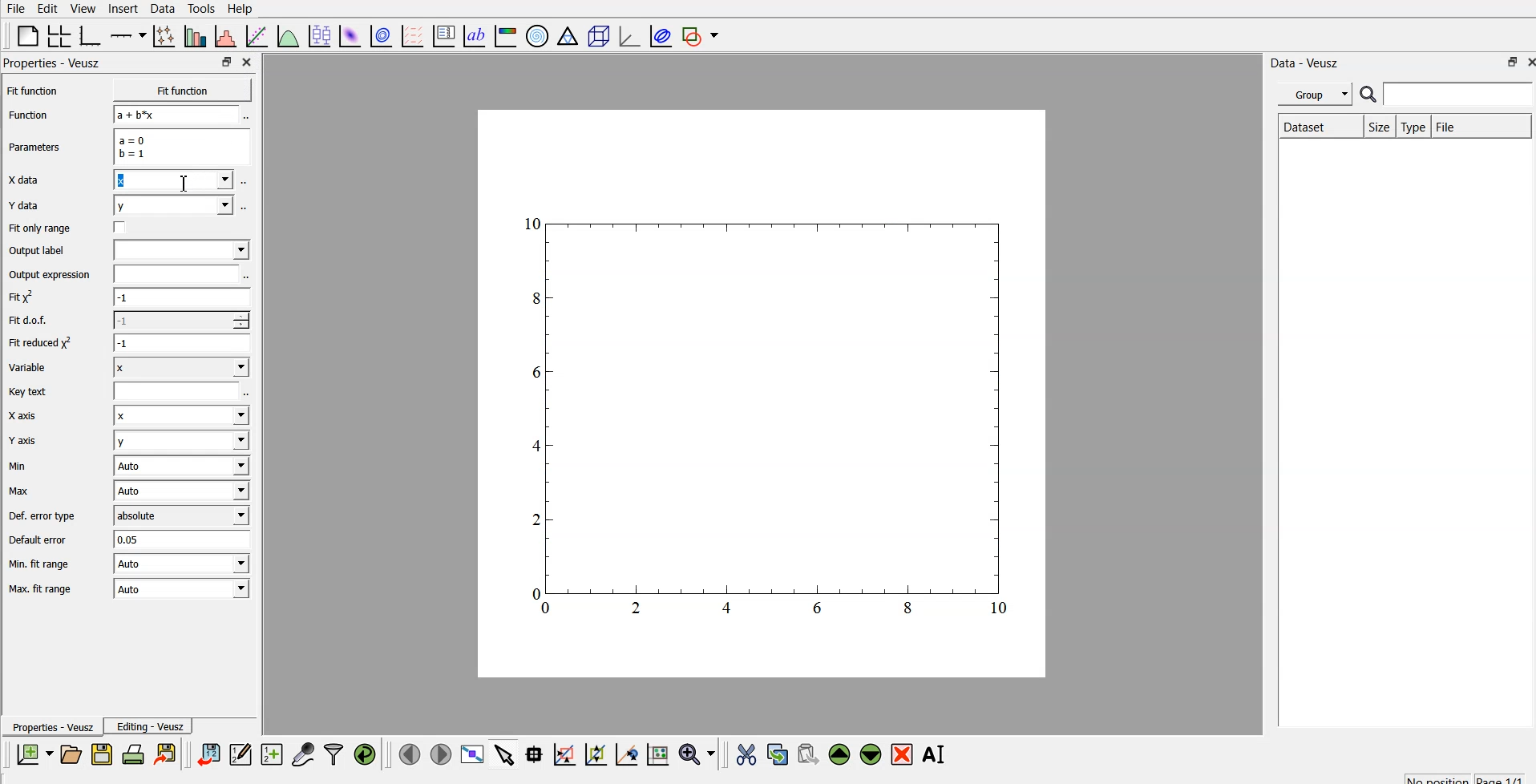  I want to click on plot key, so click(446, 36).